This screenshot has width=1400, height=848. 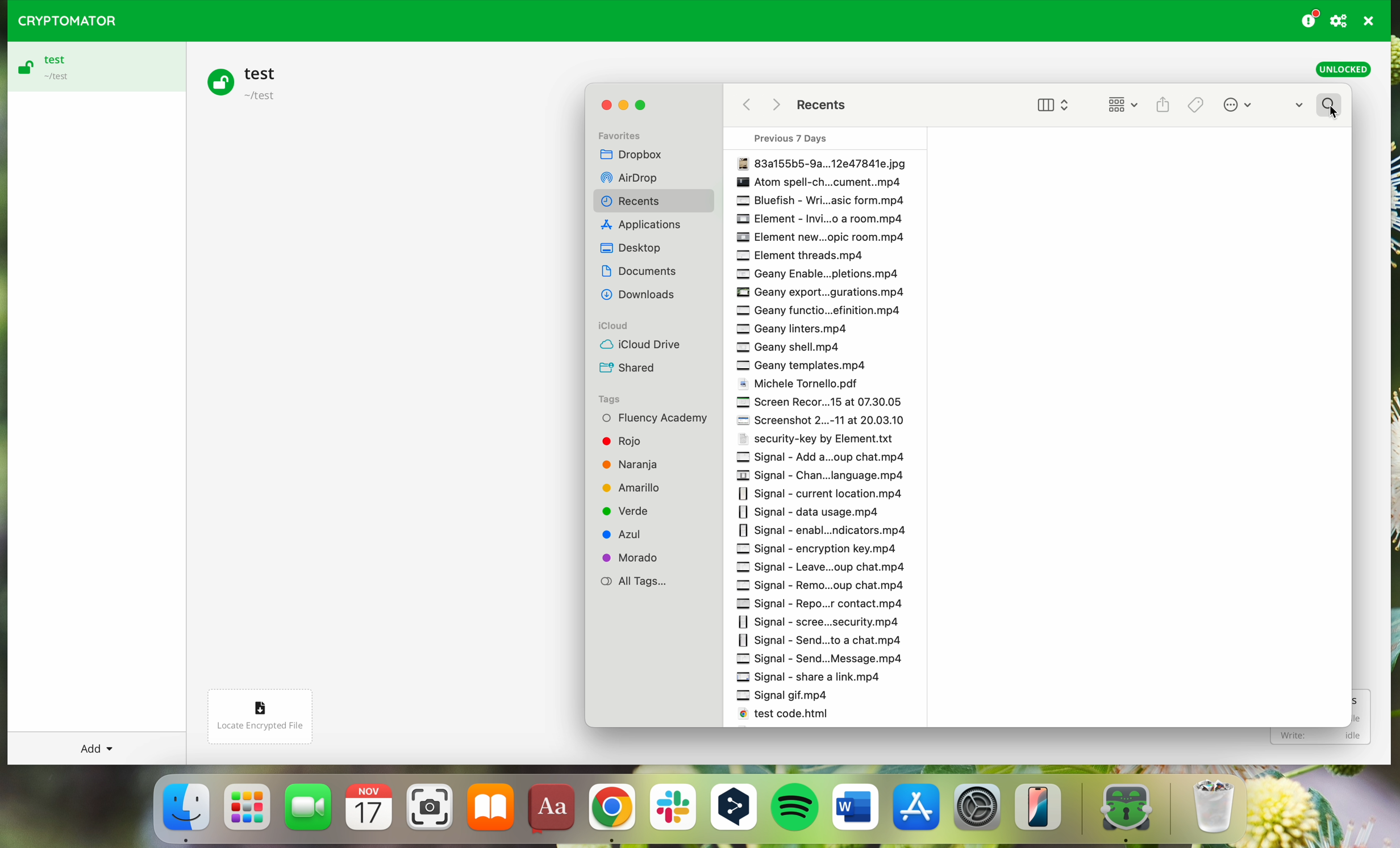 I want to click on FaceTime, so click(x=310, y=811).